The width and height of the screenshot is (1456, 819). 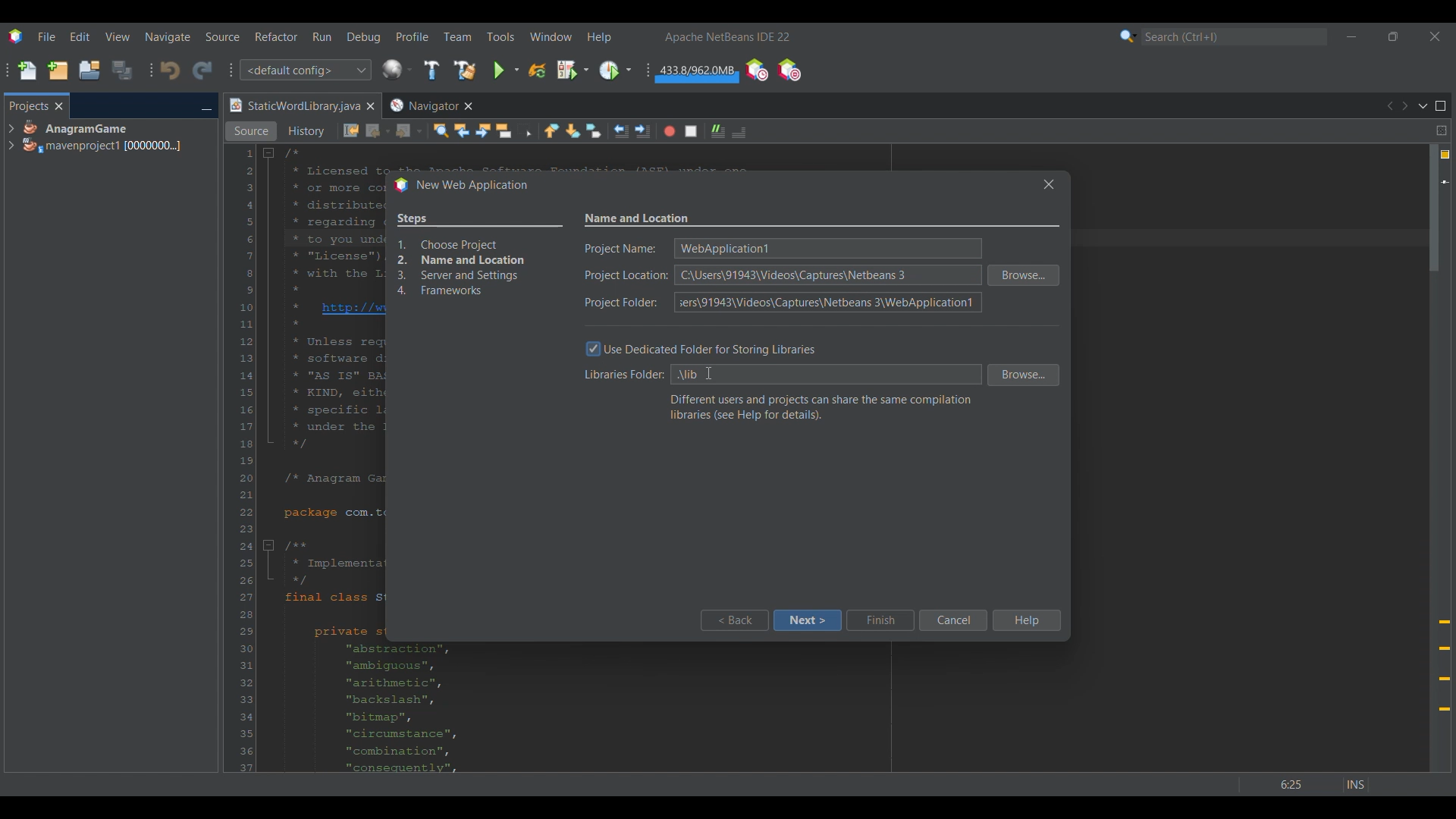 What do you see at coordinates (537, 71) in the screenshot?
I see `Reload` at bounding box center [537, 71].